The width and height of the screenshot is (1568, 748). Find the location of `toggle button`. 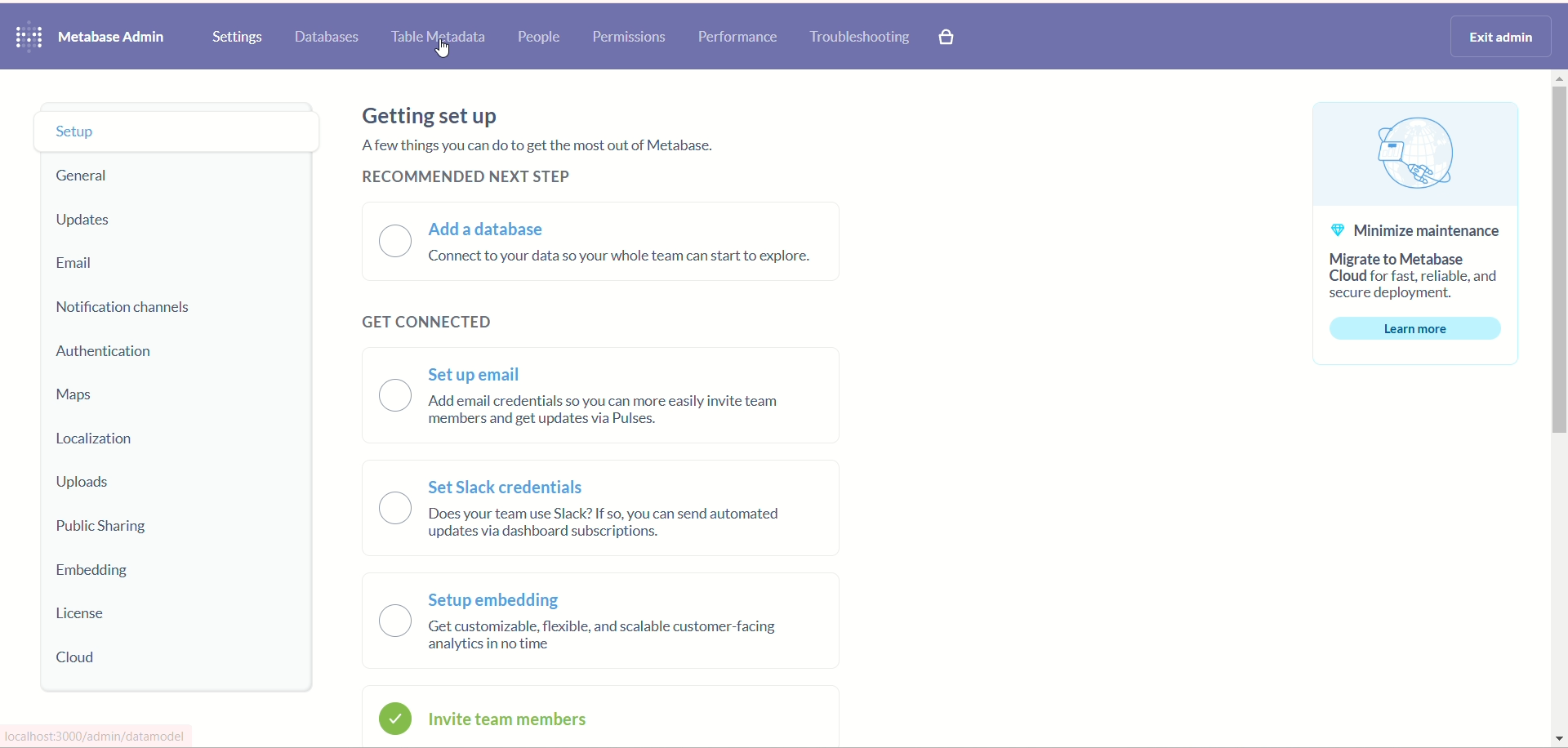

toggle button is located at coordinates (395, 621).